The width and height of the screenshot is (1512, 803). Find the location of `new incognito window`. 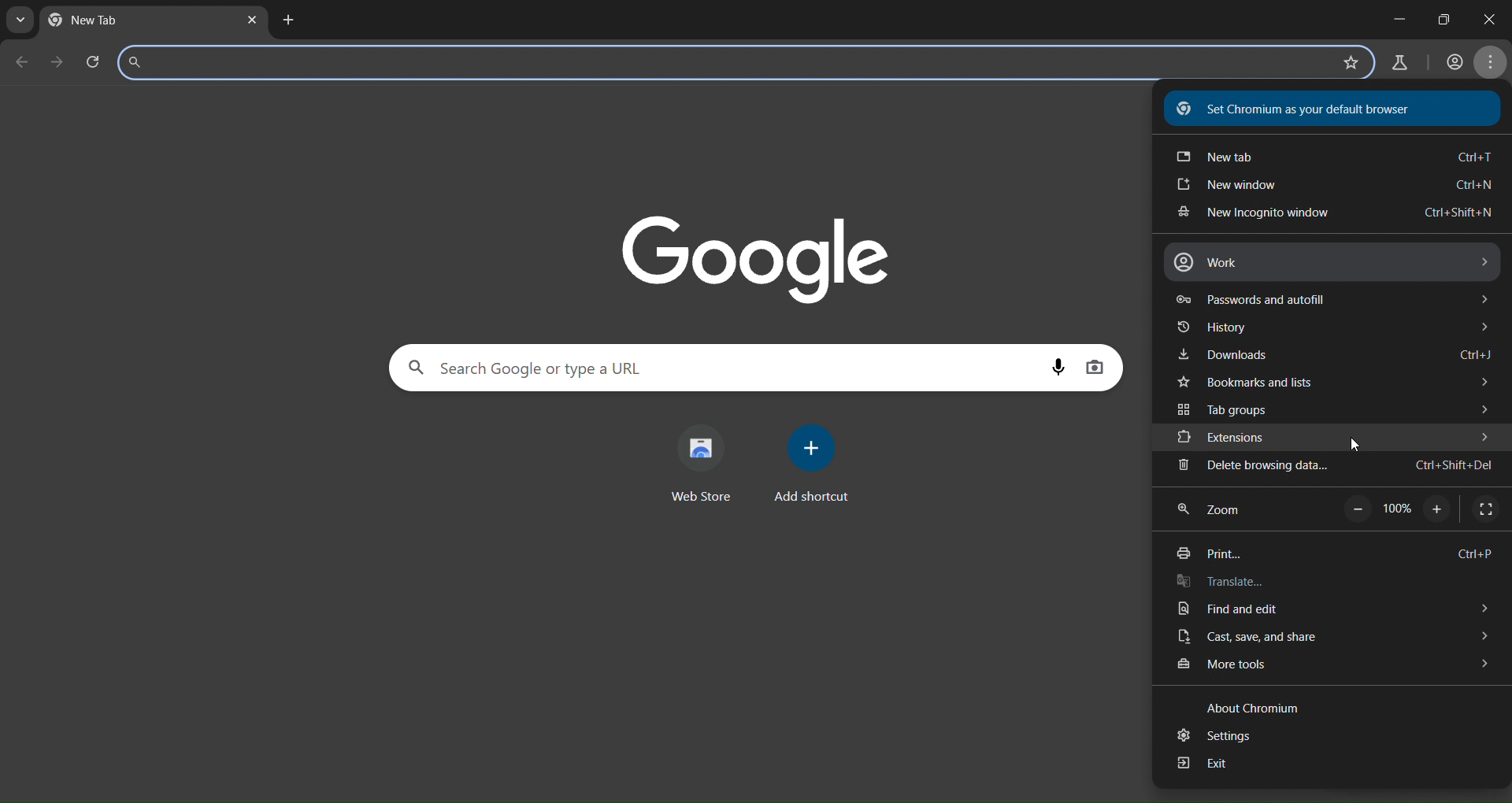

new incognito window is located at coordinates (1333, 212).